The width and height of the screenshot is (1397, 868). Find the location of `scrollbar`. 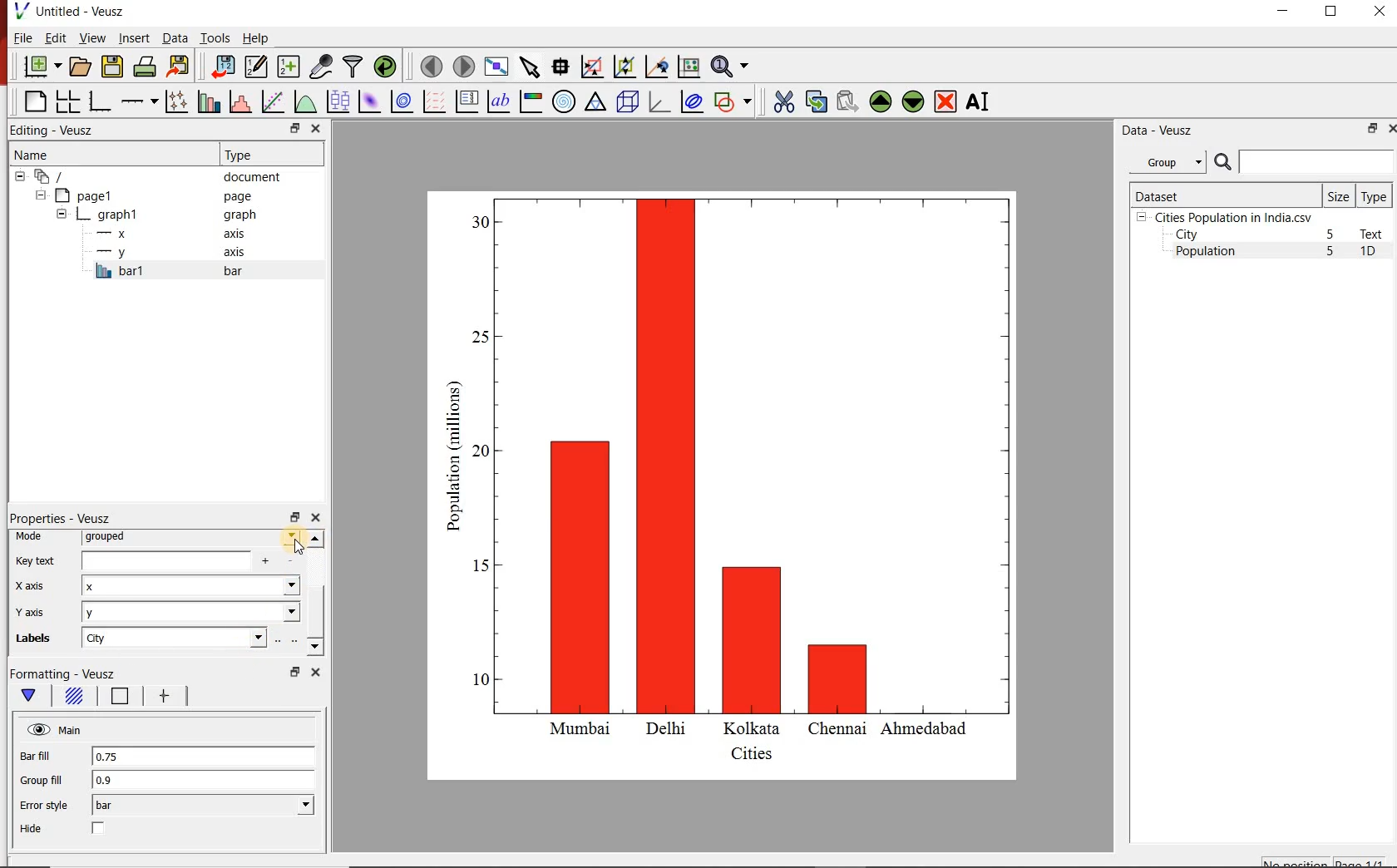

scrollbar is located at coordinates (315, 594).